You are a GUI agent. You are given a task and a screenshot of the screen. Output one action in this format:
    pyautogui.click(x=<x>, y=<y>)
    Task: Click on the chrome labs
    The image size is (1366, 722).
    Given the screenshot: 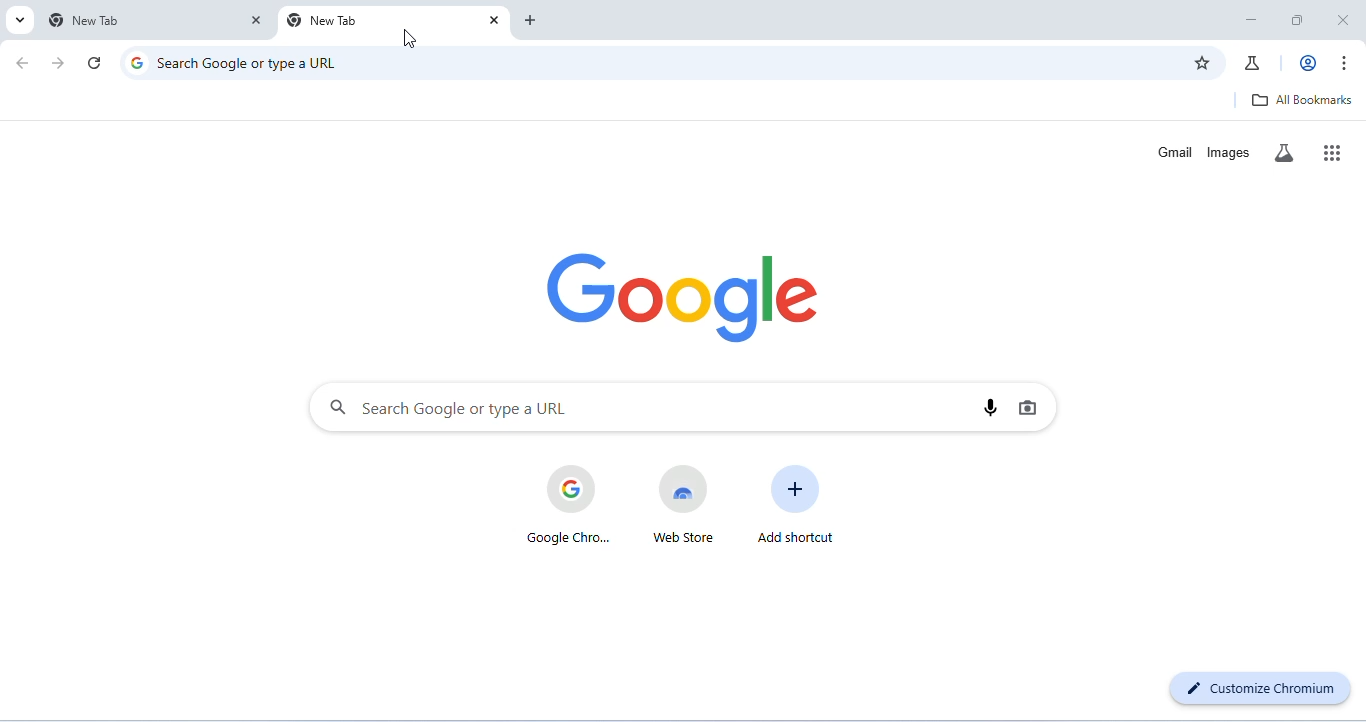 What is the action you would take?
    pyautogui.click(x=1253, y=63)
    